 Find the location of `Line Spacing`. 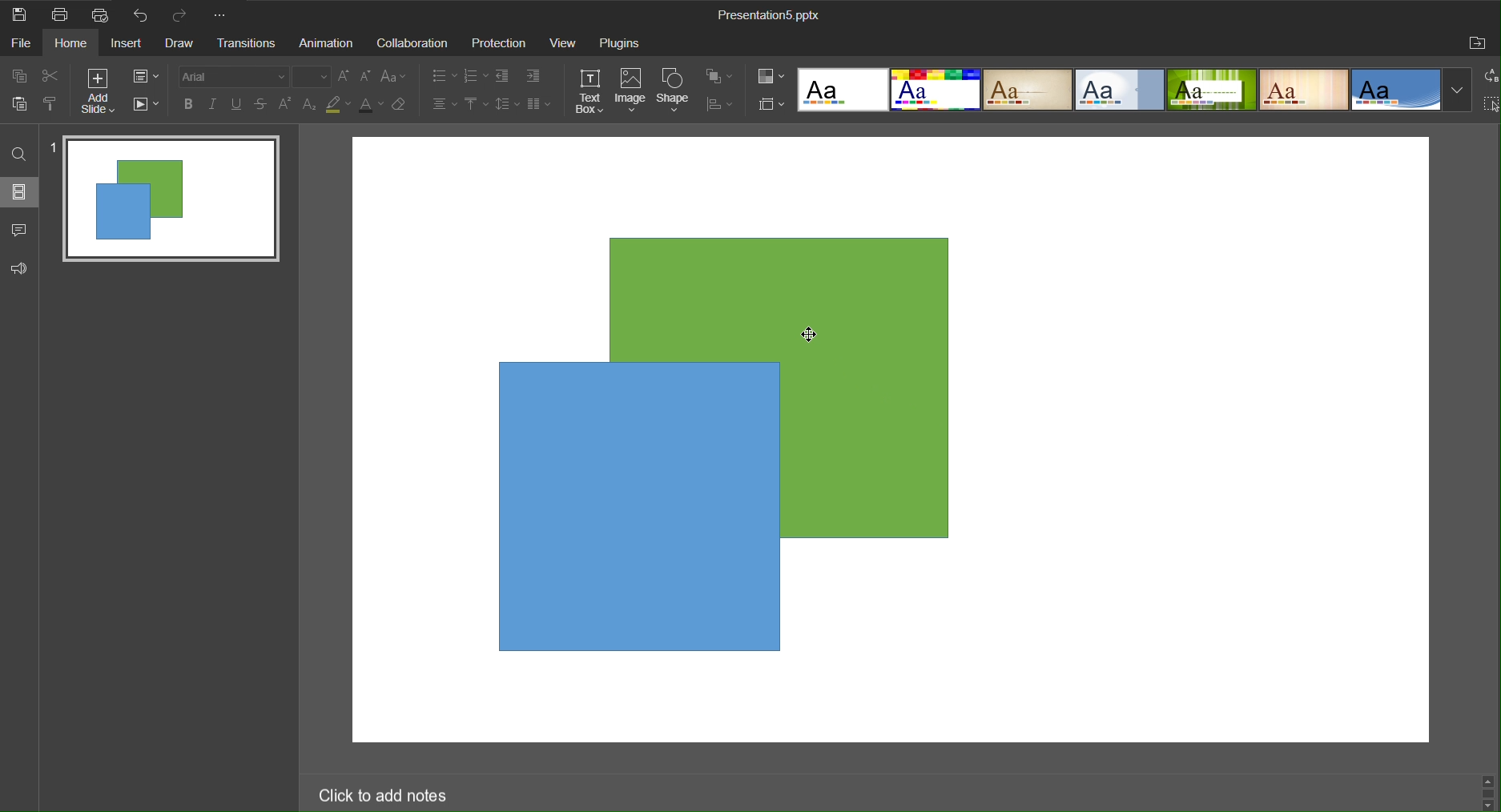

Line Spacing is located at coordinates (509, 106).